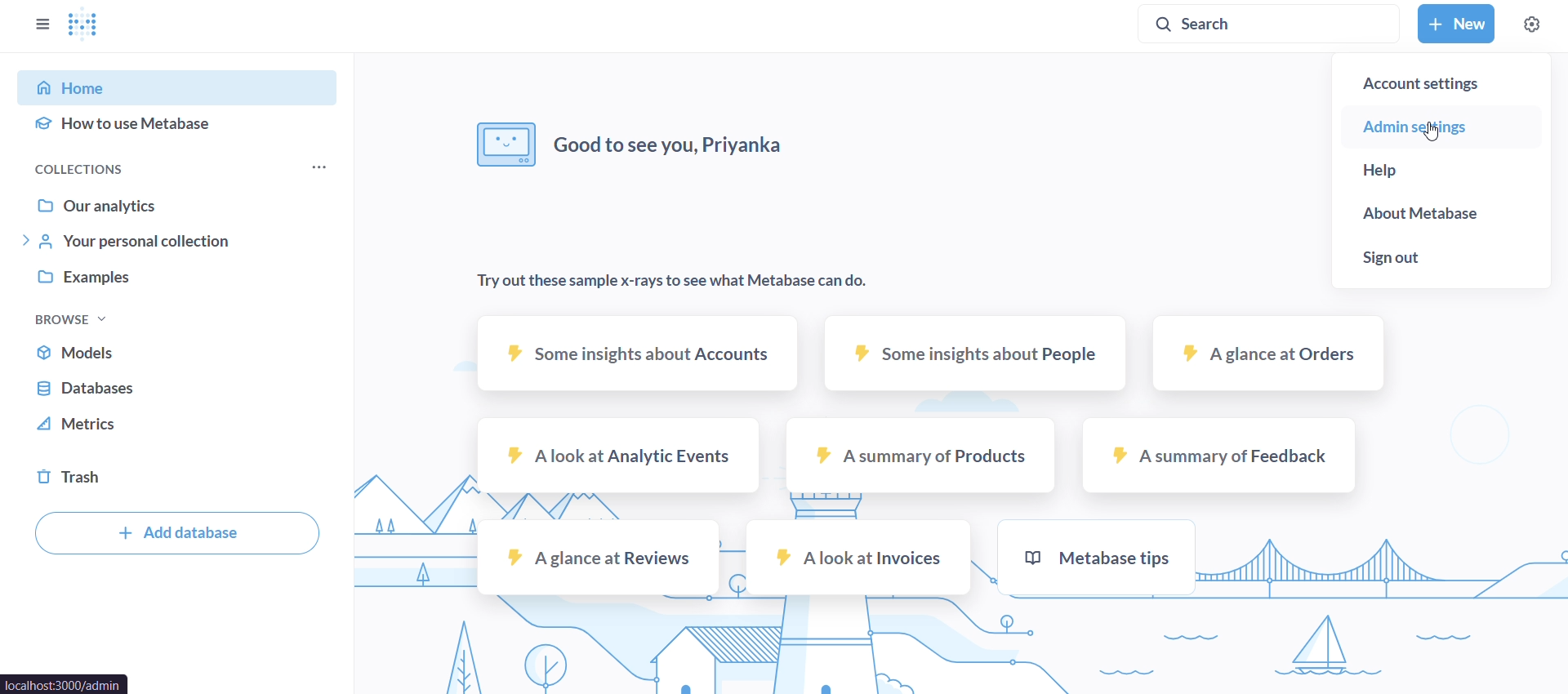 The height and width of the screenshot is (694, 1568). What do you see at coordinates (176, 429) in the screenshot?
I see `metrics` at bounding box center [176, 429].